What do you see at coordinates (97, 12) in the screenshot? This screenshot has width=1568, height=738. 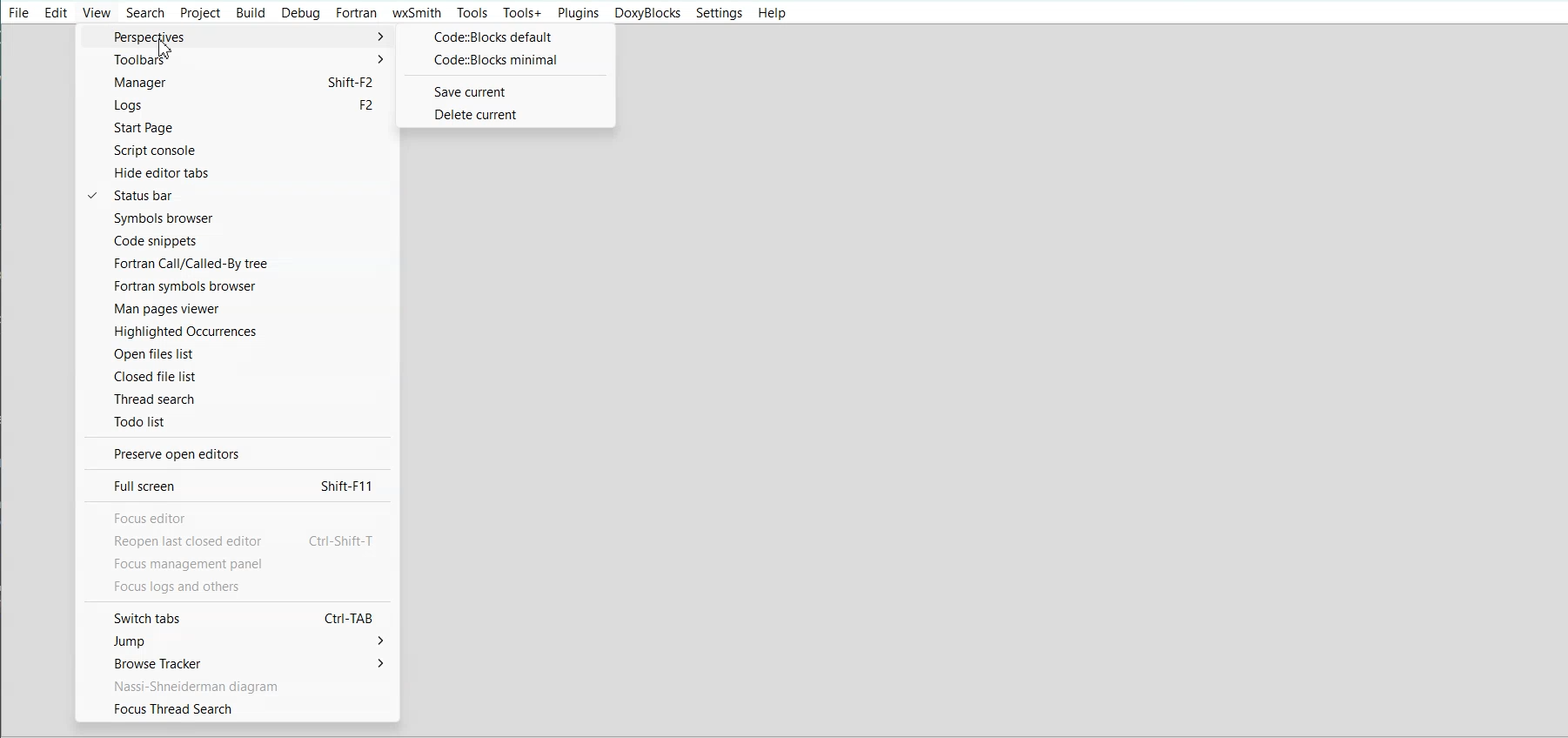 I see `View` at bounding box center [97, 12].